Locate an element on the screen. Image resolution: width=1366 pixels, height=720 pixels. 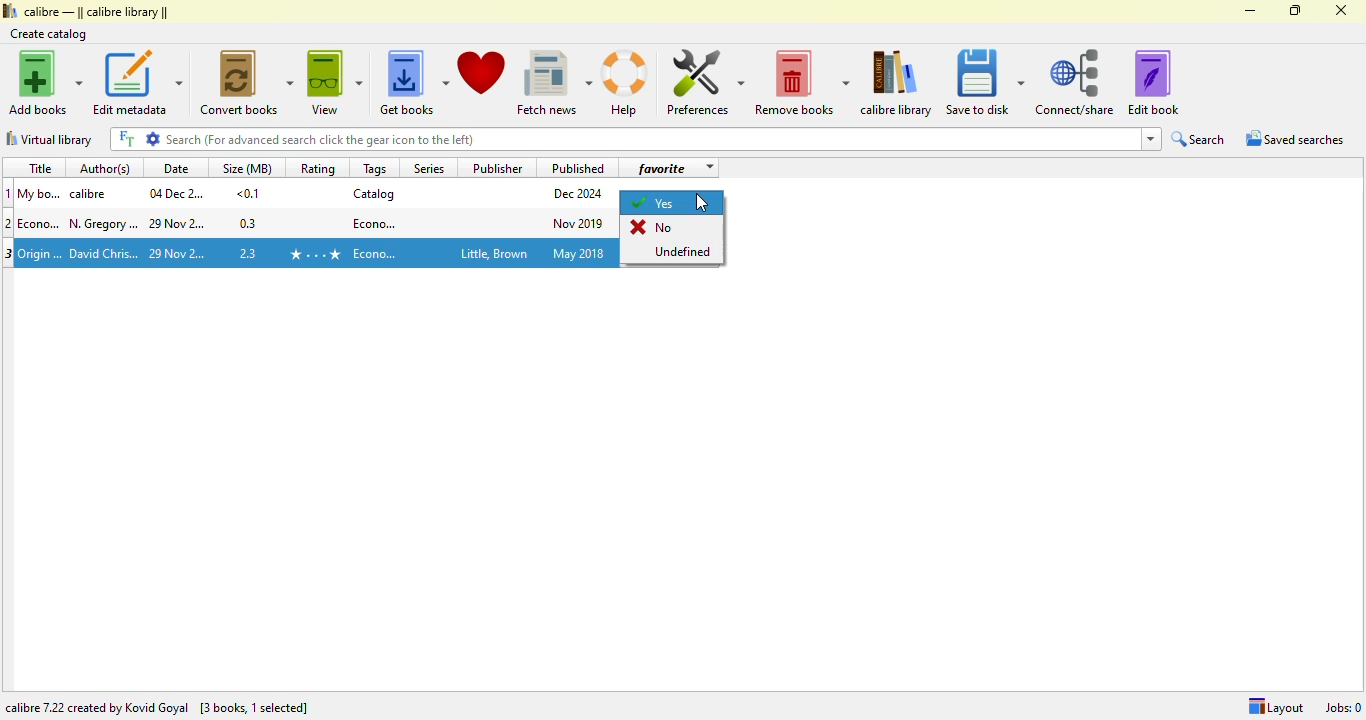
calibre library is located at coordinates (897, 83).